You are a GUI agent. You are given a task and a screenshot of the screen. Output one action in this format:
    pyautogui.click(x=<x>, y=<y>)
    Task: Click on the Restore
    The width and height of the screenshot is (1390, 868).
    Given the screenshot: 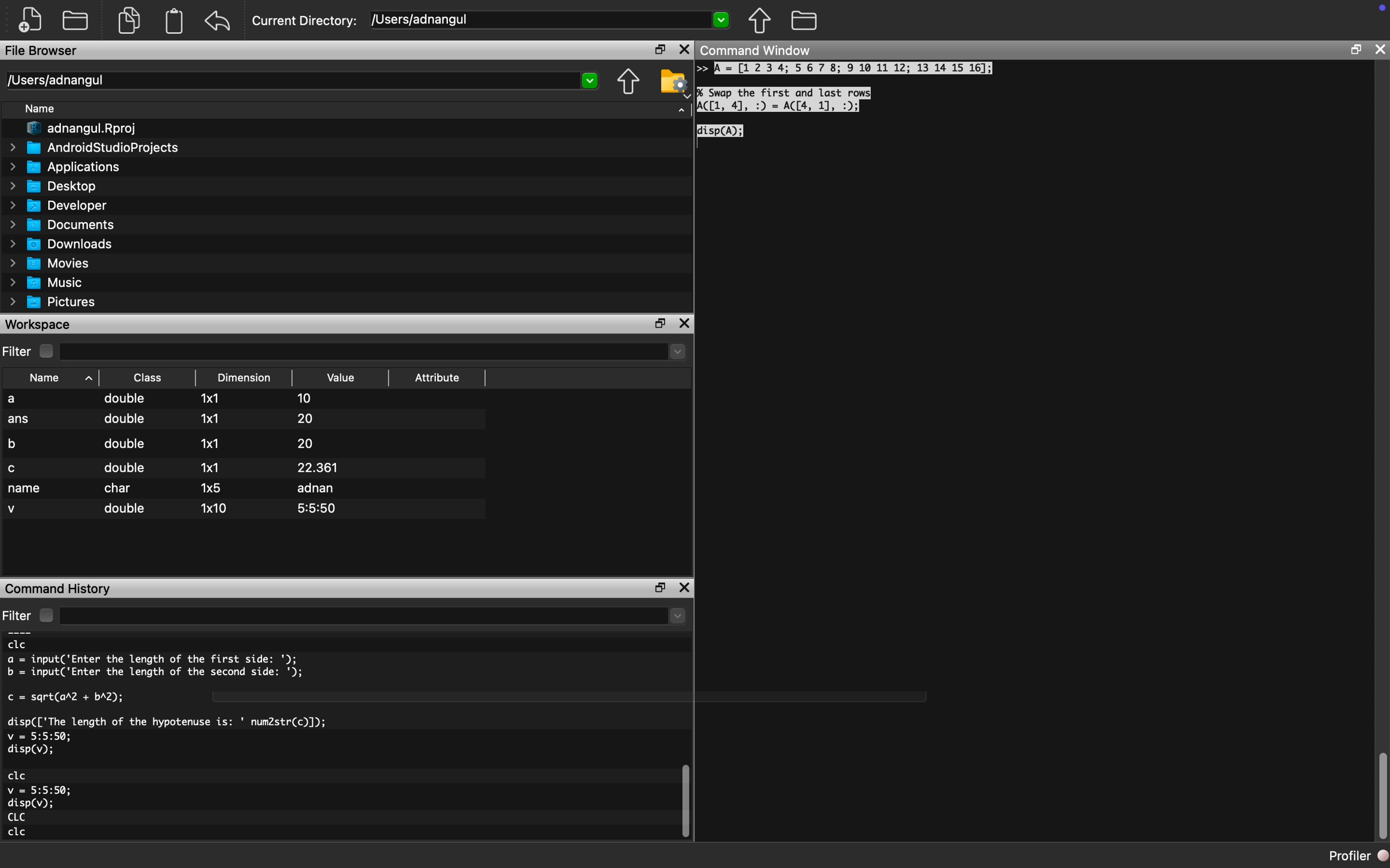 What is the action you would take?
    pyautogui.click(x=1356, y=49)
    